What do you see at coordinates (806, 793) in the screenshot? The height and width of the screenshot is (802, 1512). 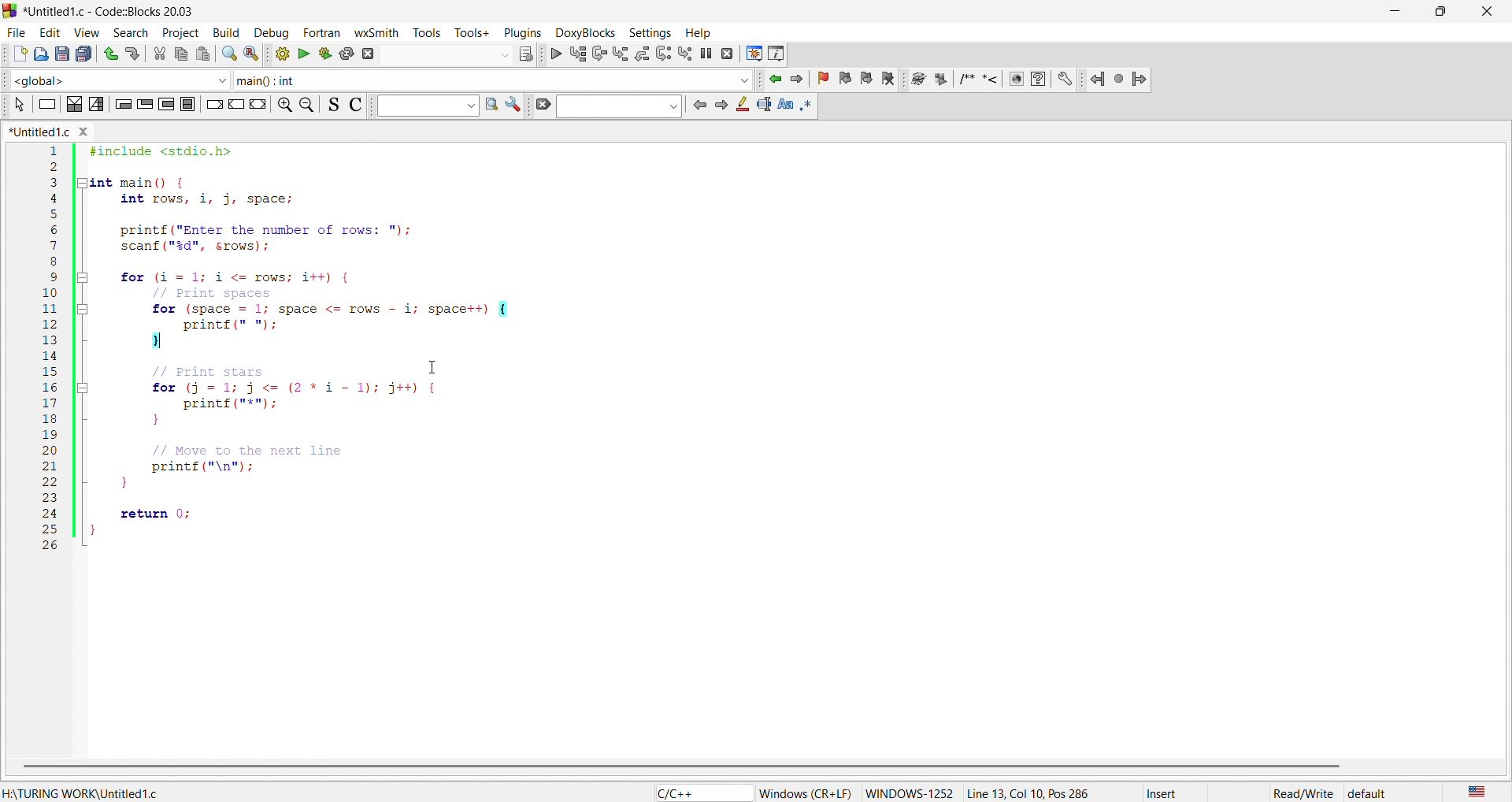 I see `Windows (CR+LF)` at bounding box center [806, 793].